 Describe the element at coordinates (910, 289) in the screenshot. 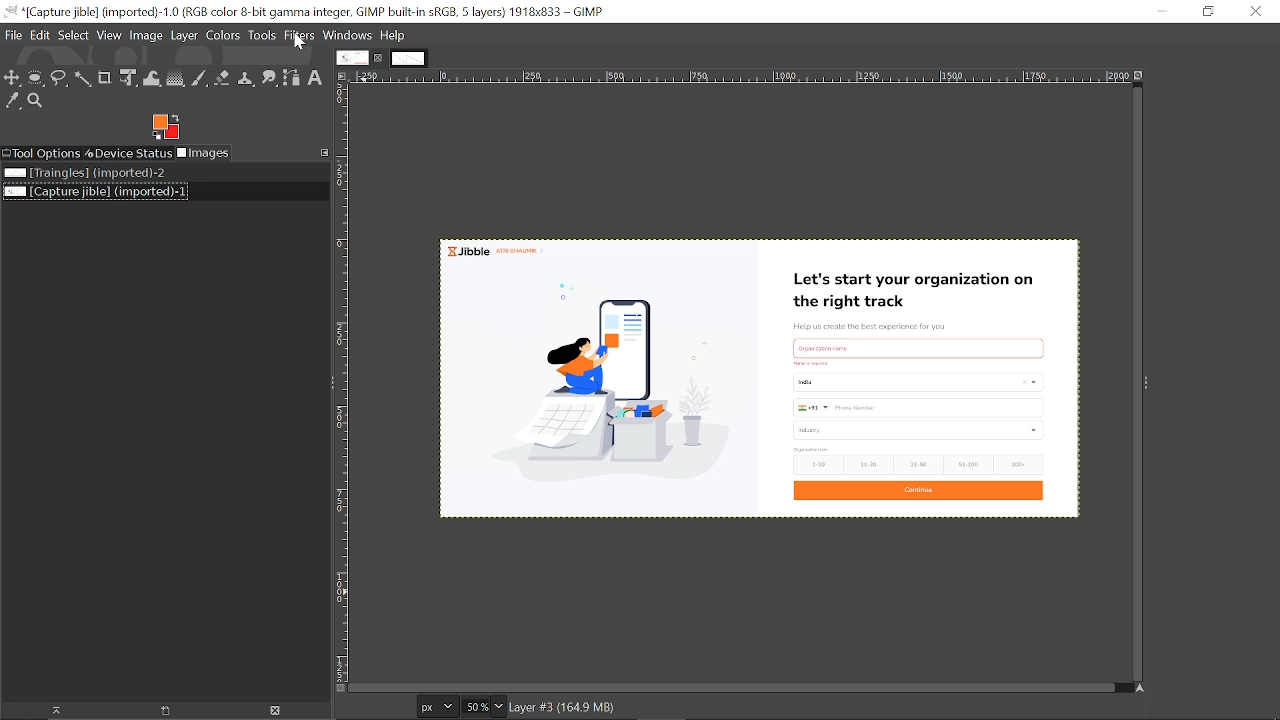

I see `Let's start your organization on
the right track` at that location.